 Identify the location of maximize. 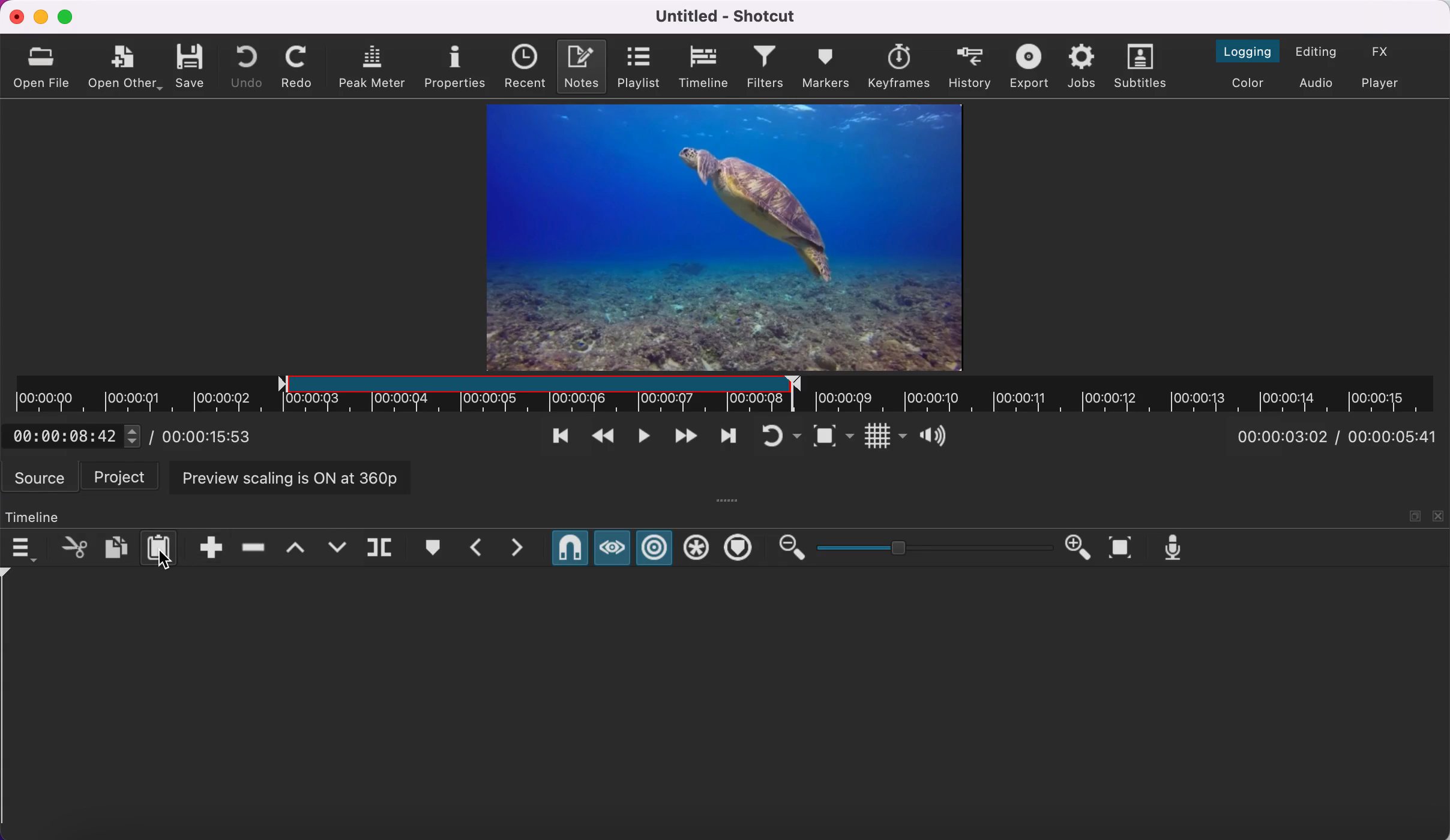
(1415, 515).